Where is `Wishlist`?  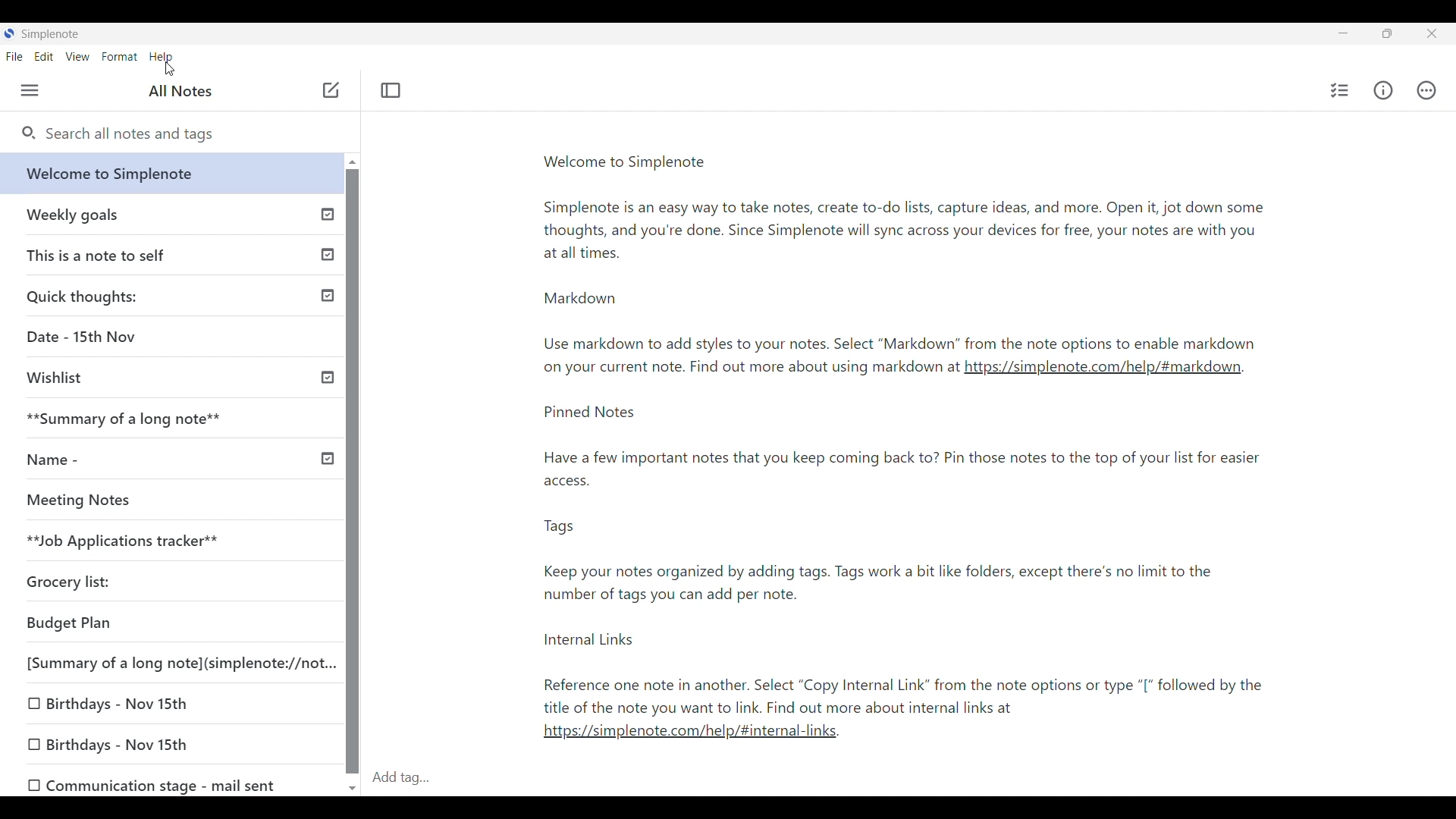
Wishlist is located at coordinates (155, 379).